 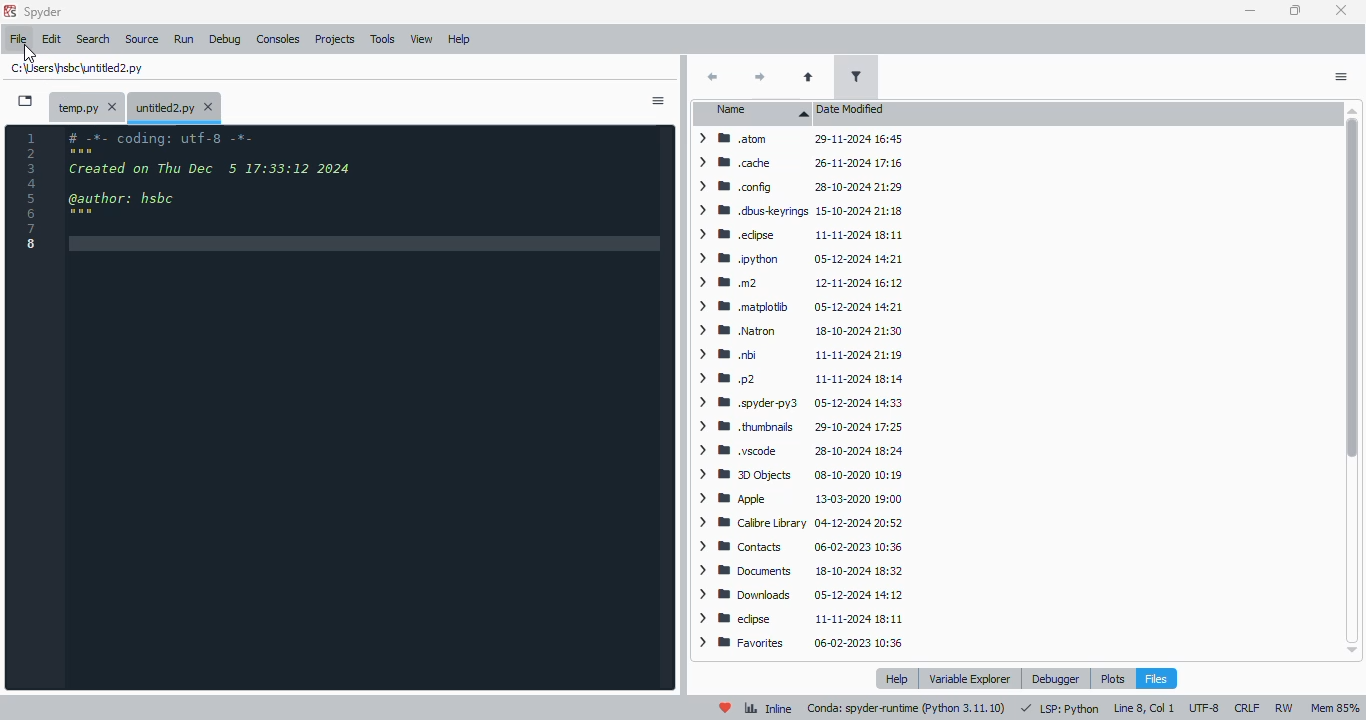 I want to click on > WM .dbuskeyrings 15-10-2024 21:18, so click(x=797, y=209).